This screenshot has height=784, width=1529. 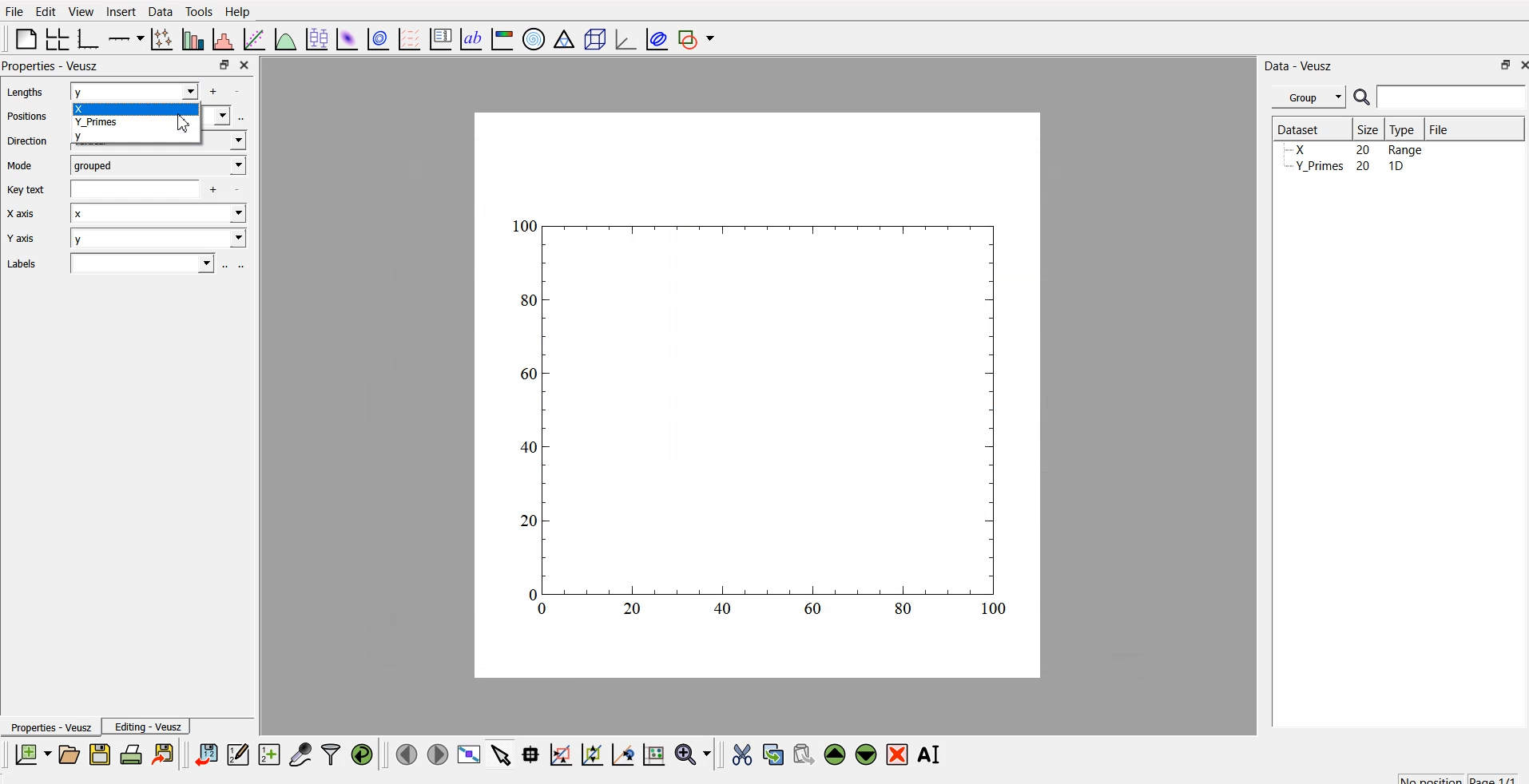 What do you see at coordinates (502, 41) in the screenshot?
I see `image color bar ` at bounding box center [502, 41].